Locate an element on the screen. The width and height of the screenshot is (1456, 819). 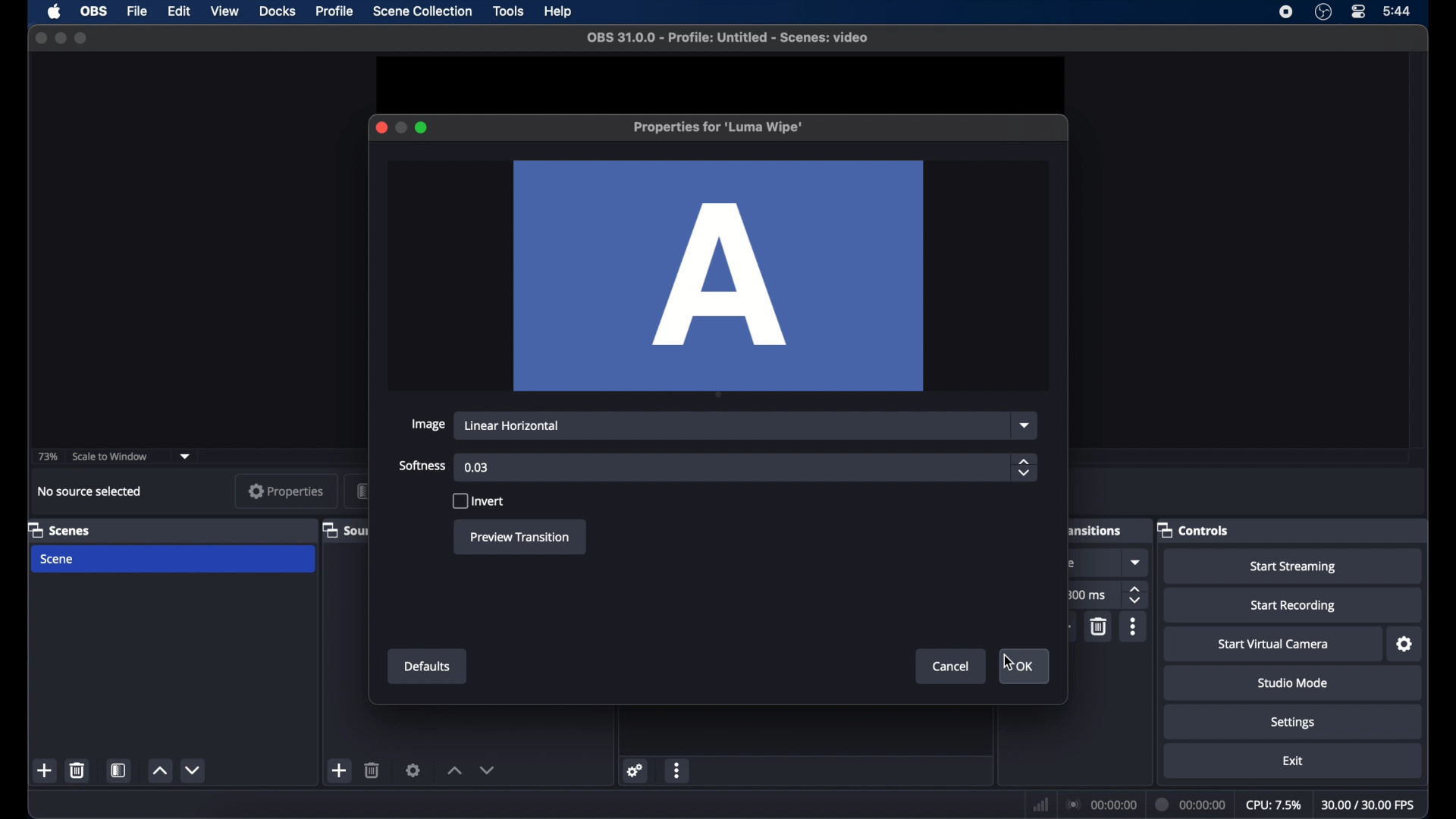
invert is located at coordinates (478, 501).